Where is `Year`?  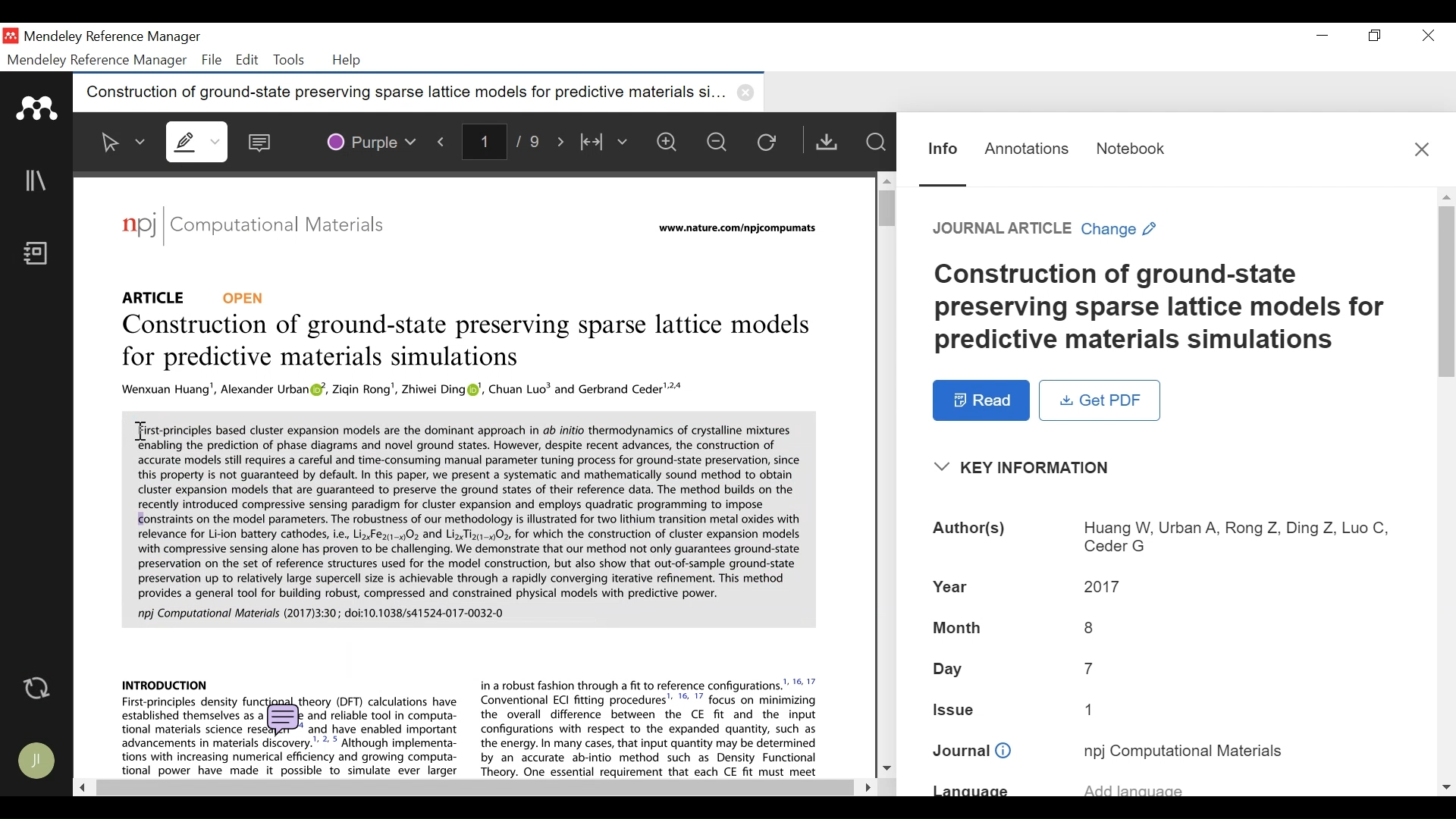
Year is located at coordinates (1103, 585).